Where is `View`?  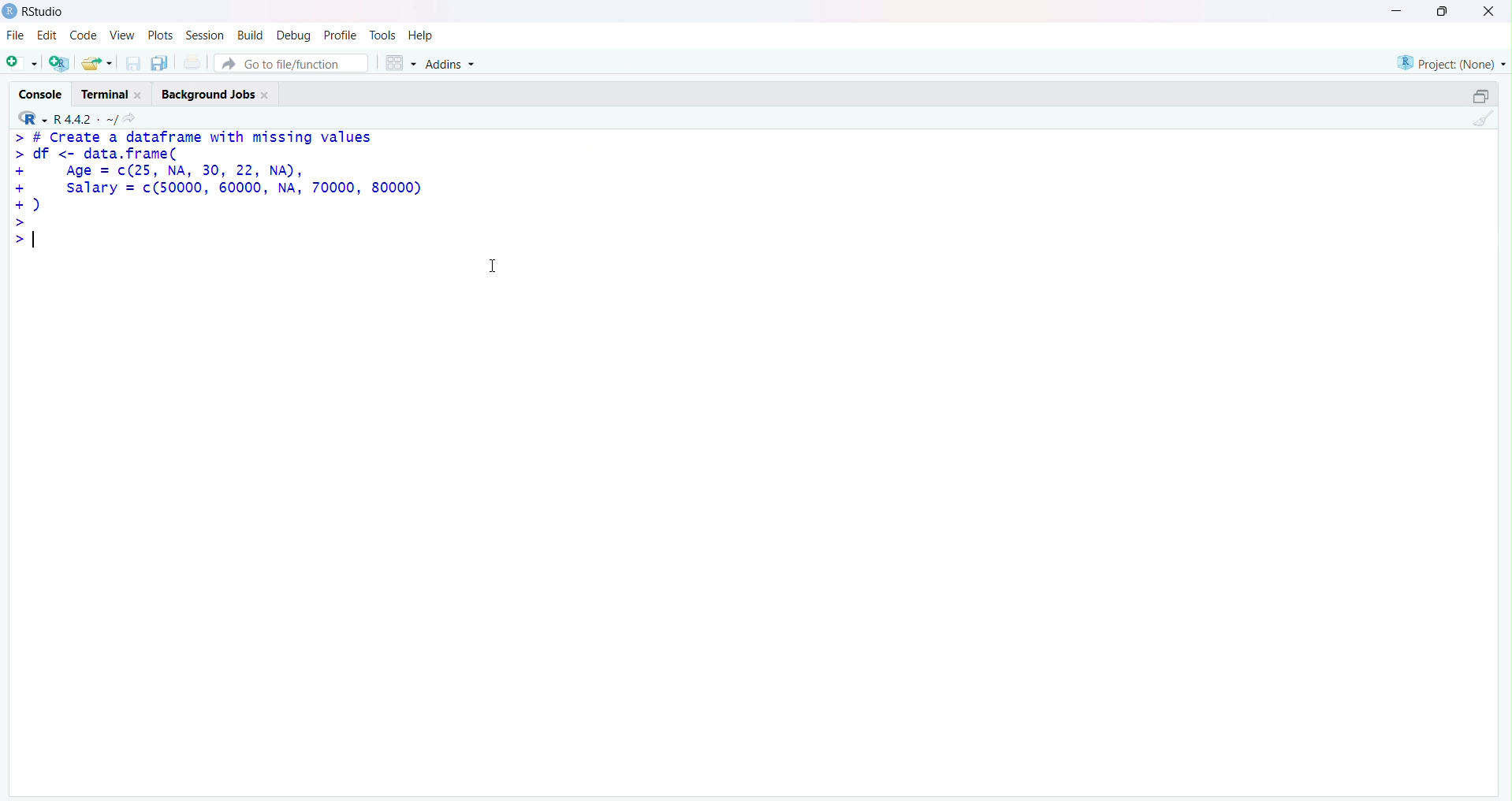 View is located at coordinates (121, 36).